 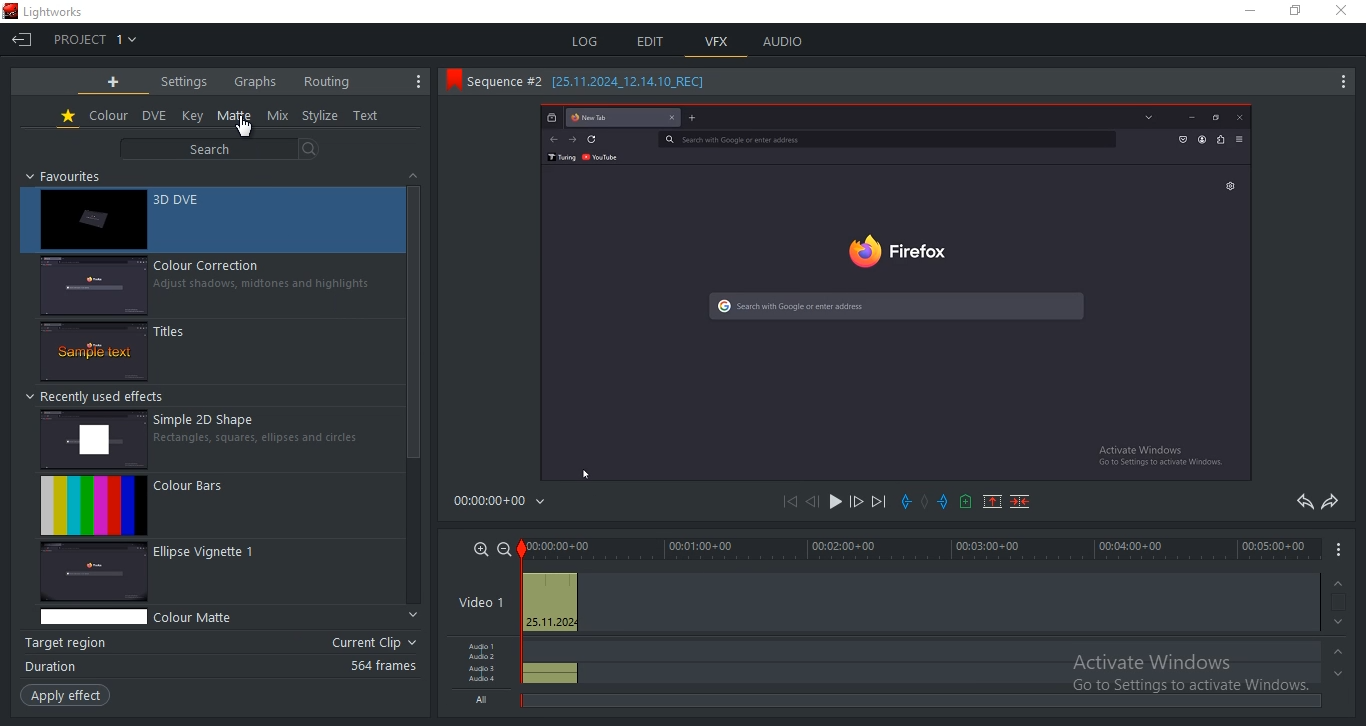 I want to click on audio, so click(x=483, y=673).